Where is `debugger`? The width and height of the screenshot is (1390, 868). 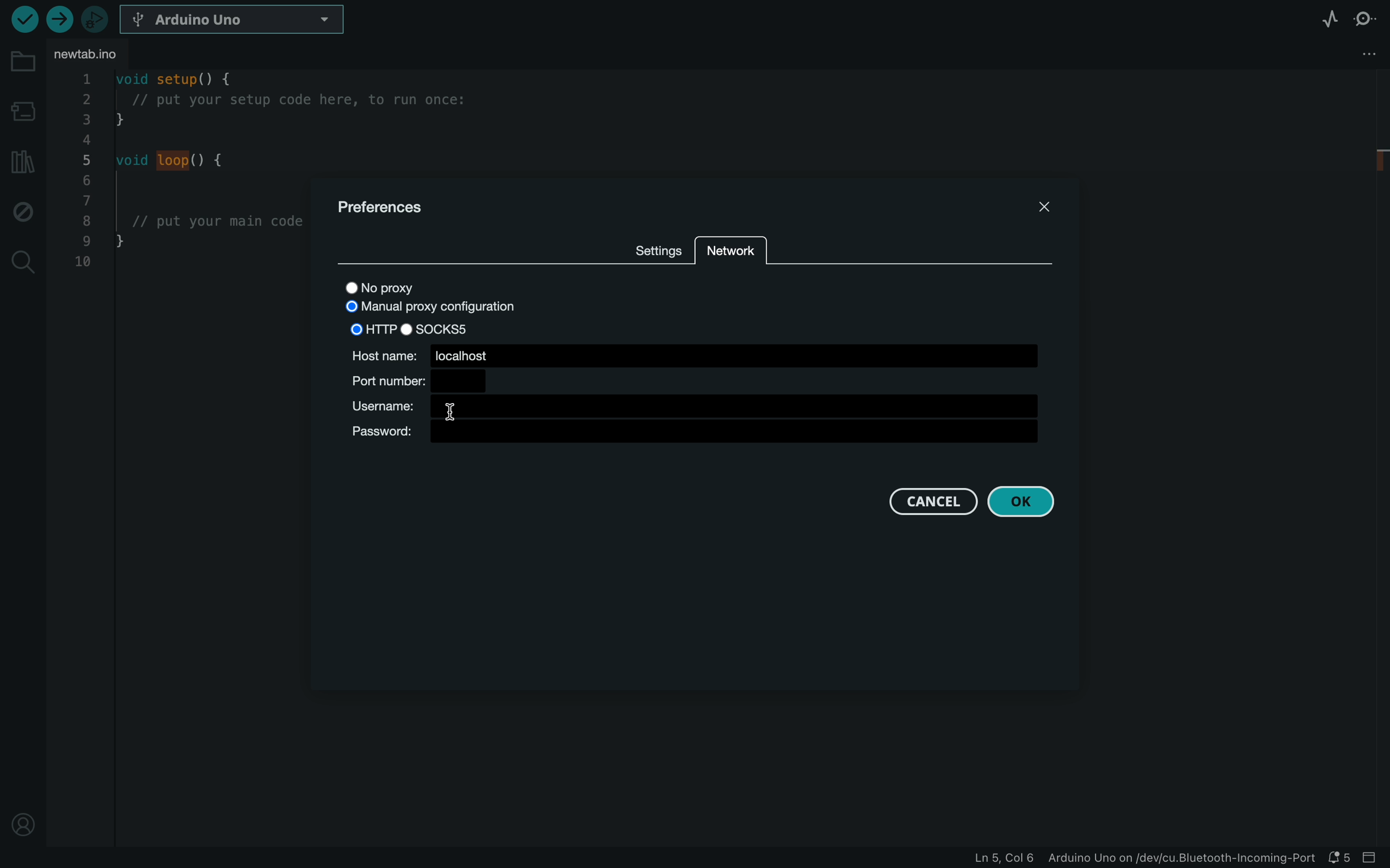 debugger is located at coordinates (94, 19).